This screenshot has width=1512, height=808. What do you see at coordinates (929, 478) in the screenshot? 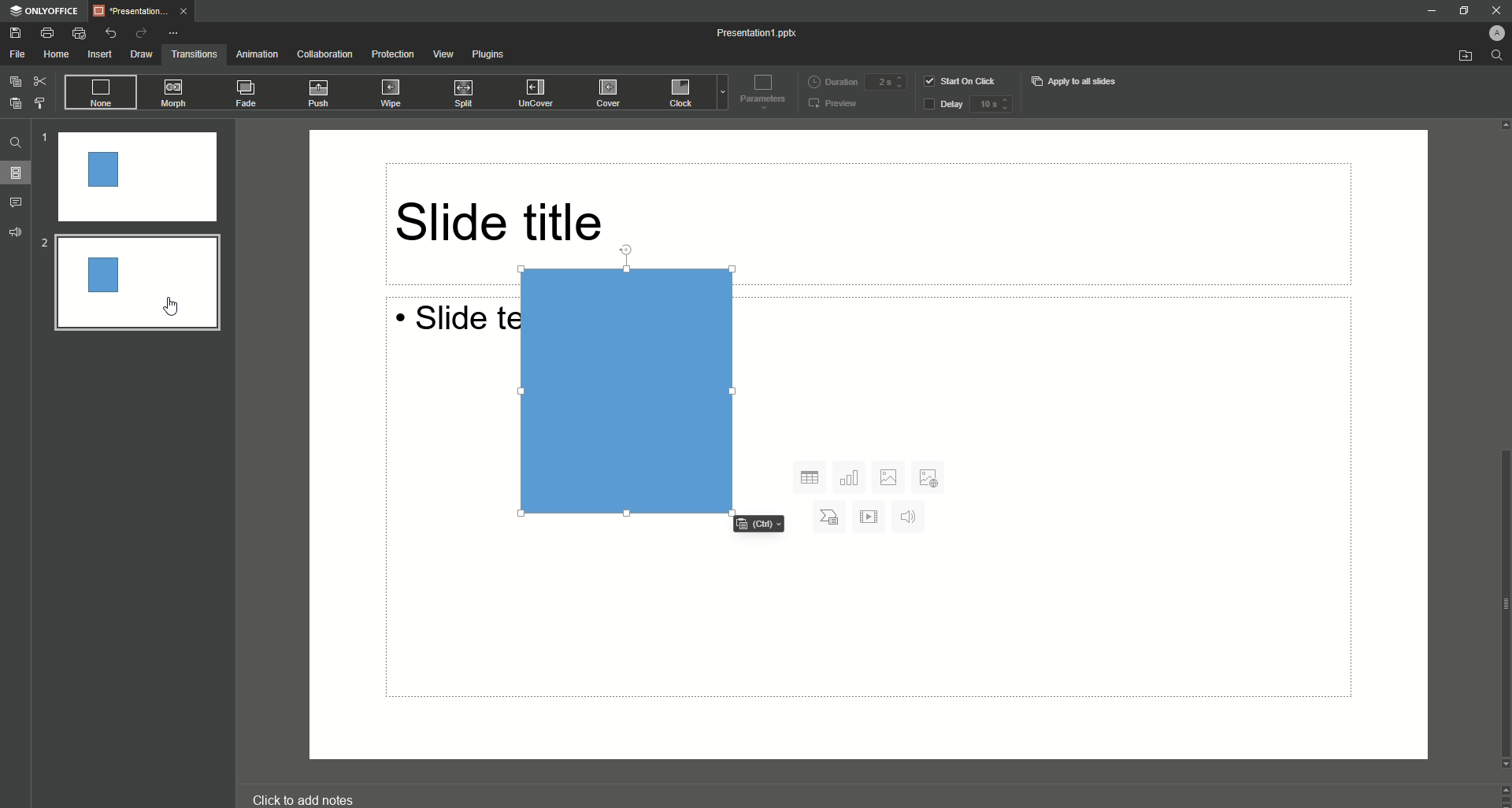
I see `Add Photos` at bounding box center [929, 478].